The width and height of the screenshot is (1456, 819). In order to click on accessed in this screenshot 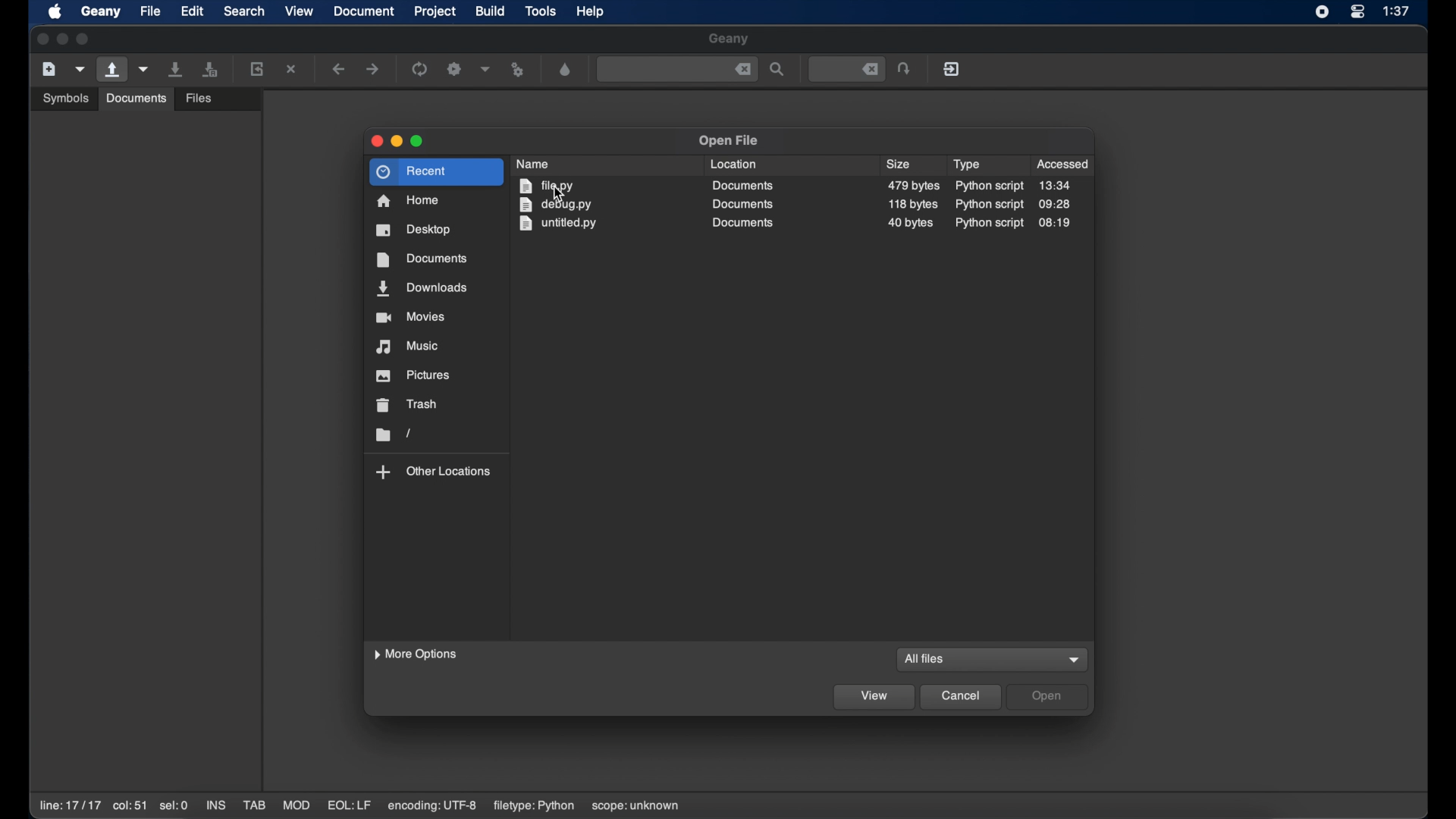, I will do `click(1064, 164)`.